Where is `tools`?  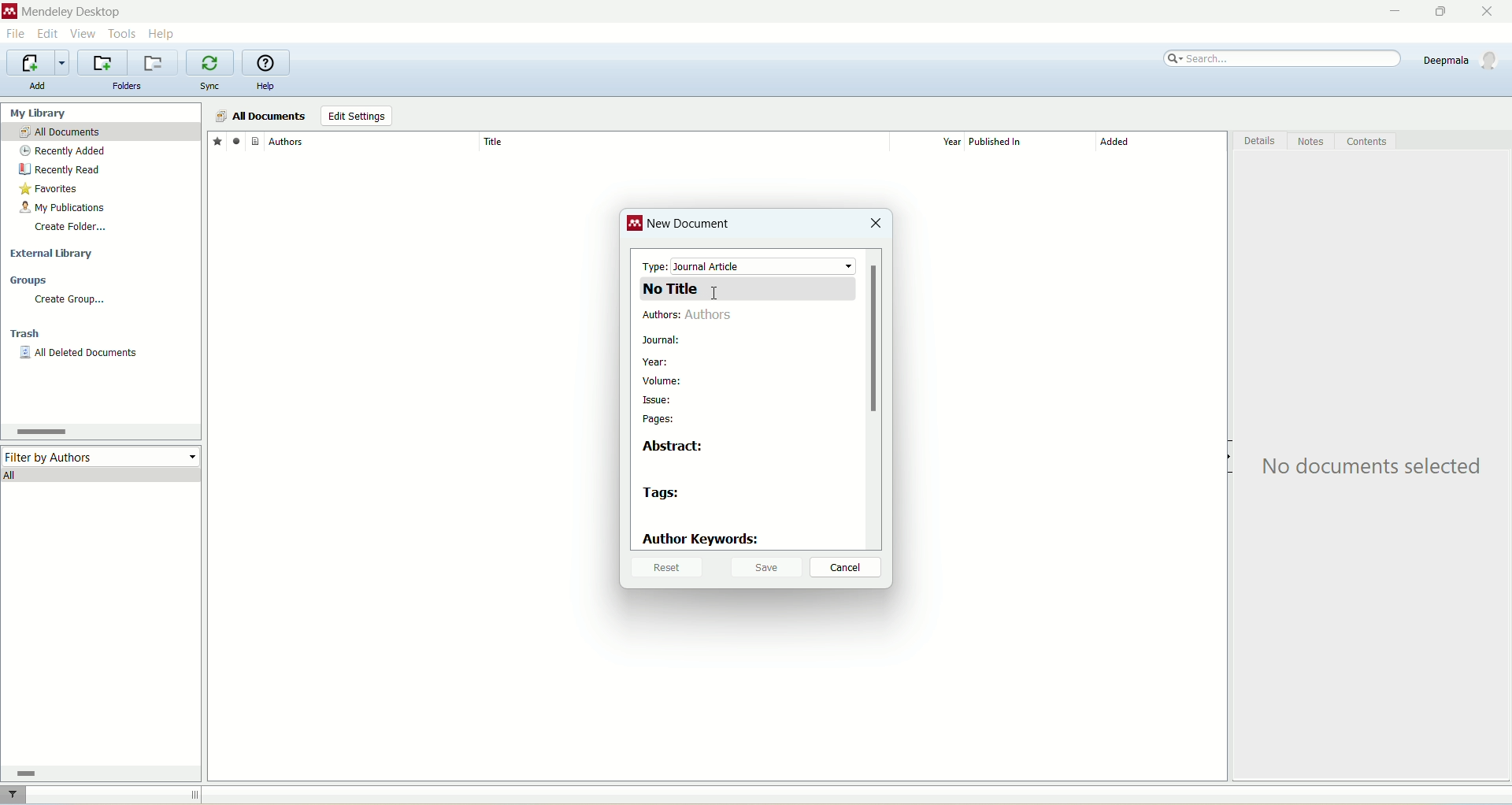
tools is located at coordinates (123, 32).